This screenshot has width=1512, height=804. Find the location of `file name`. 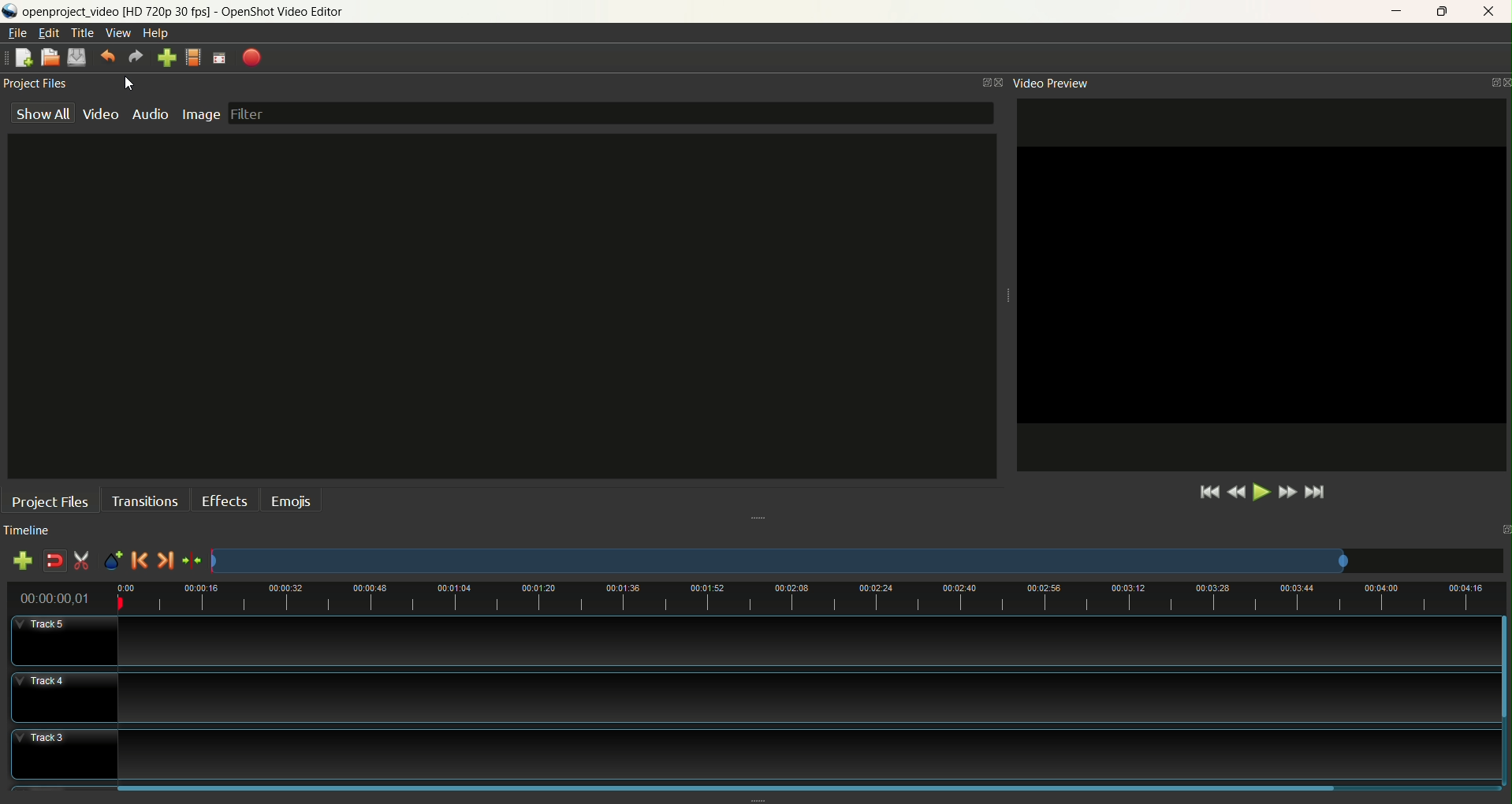

file name is located at coordinates (196, 12).